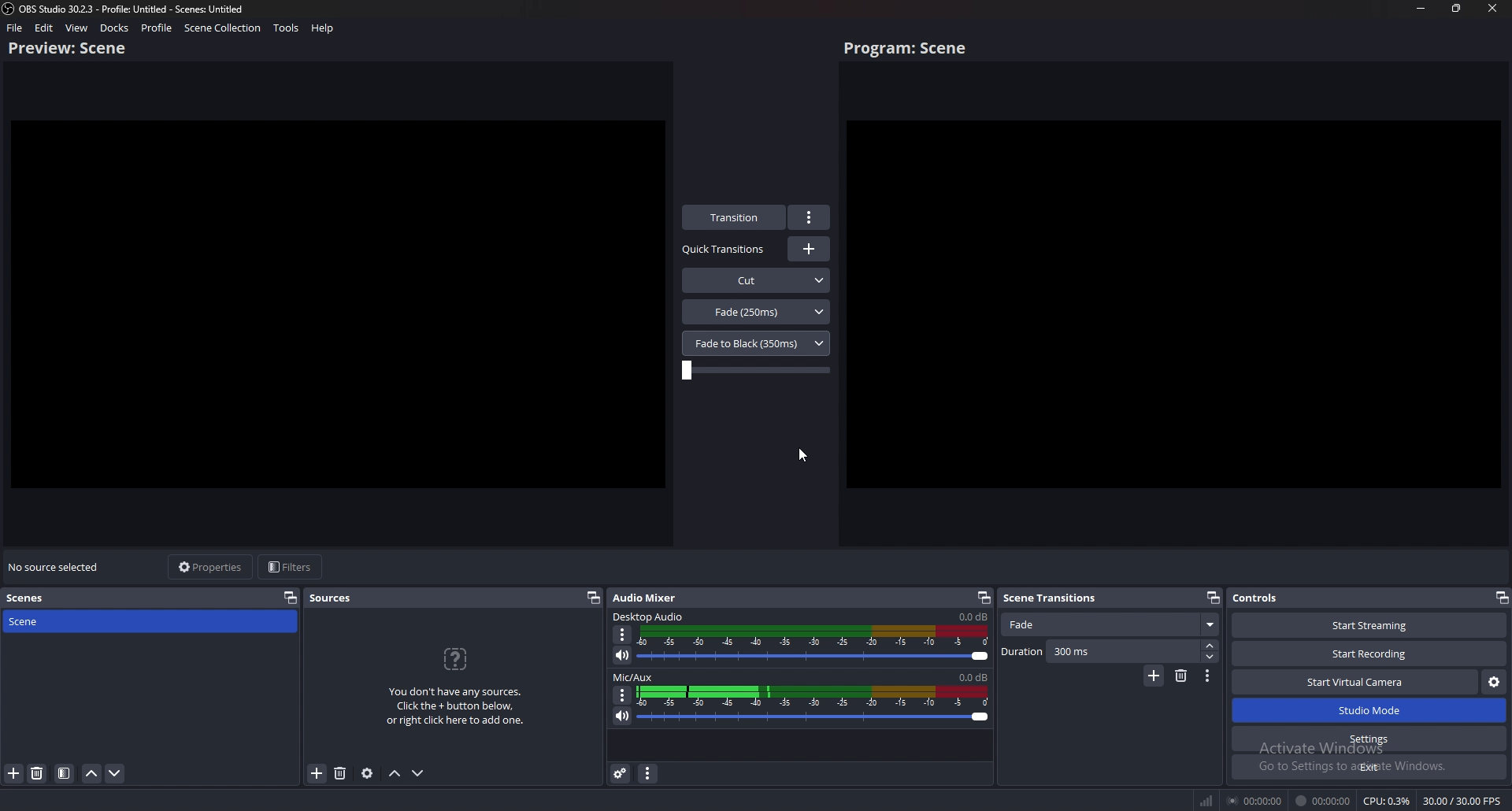 The width and height of the screenshot is (1512, 811). Describe the element at coordinates (755, 371) in the screenshot. I see `bar` at that location.